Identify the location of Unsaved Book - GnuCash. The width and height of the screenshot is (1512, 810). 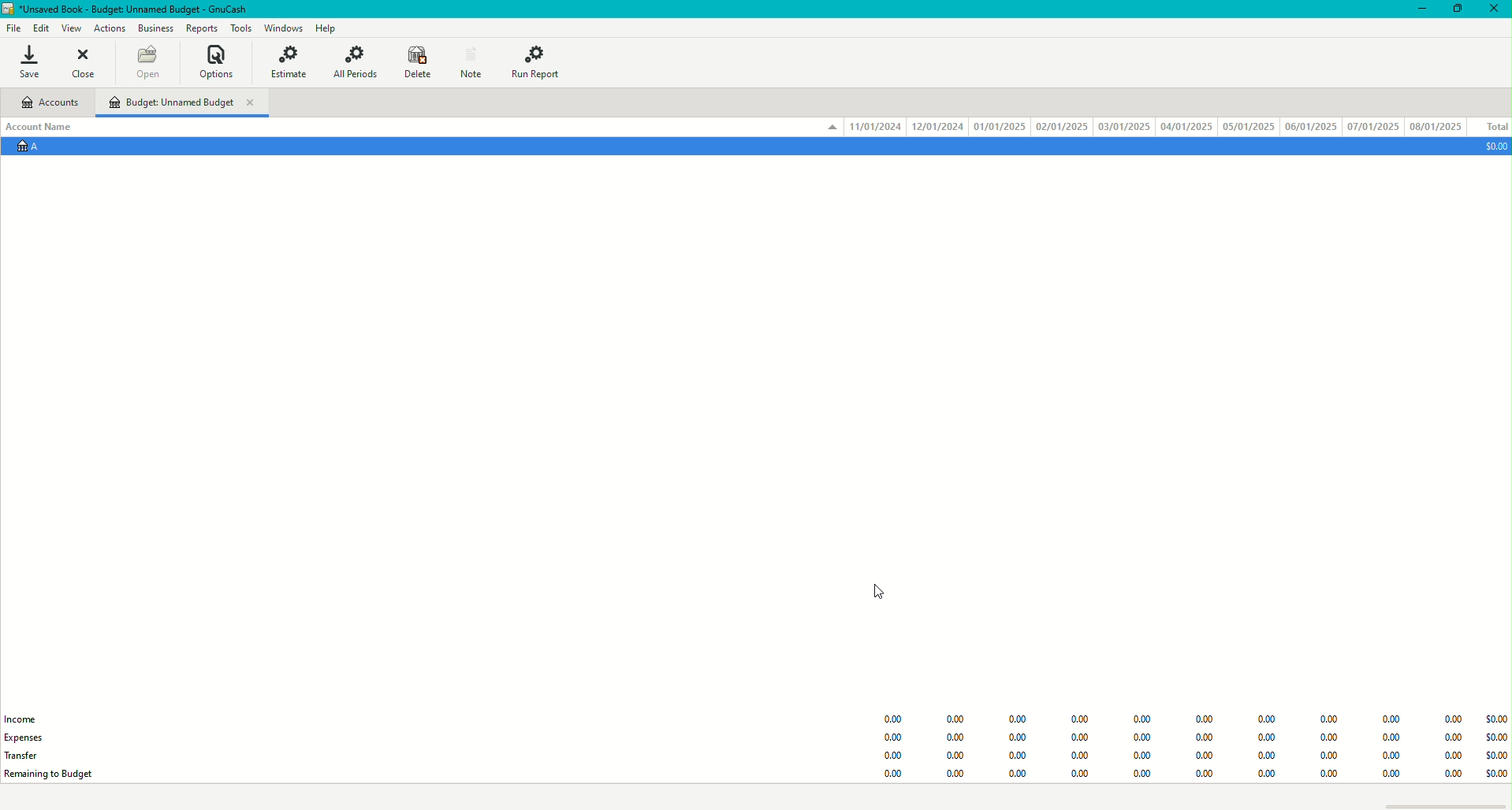
(128, 10).